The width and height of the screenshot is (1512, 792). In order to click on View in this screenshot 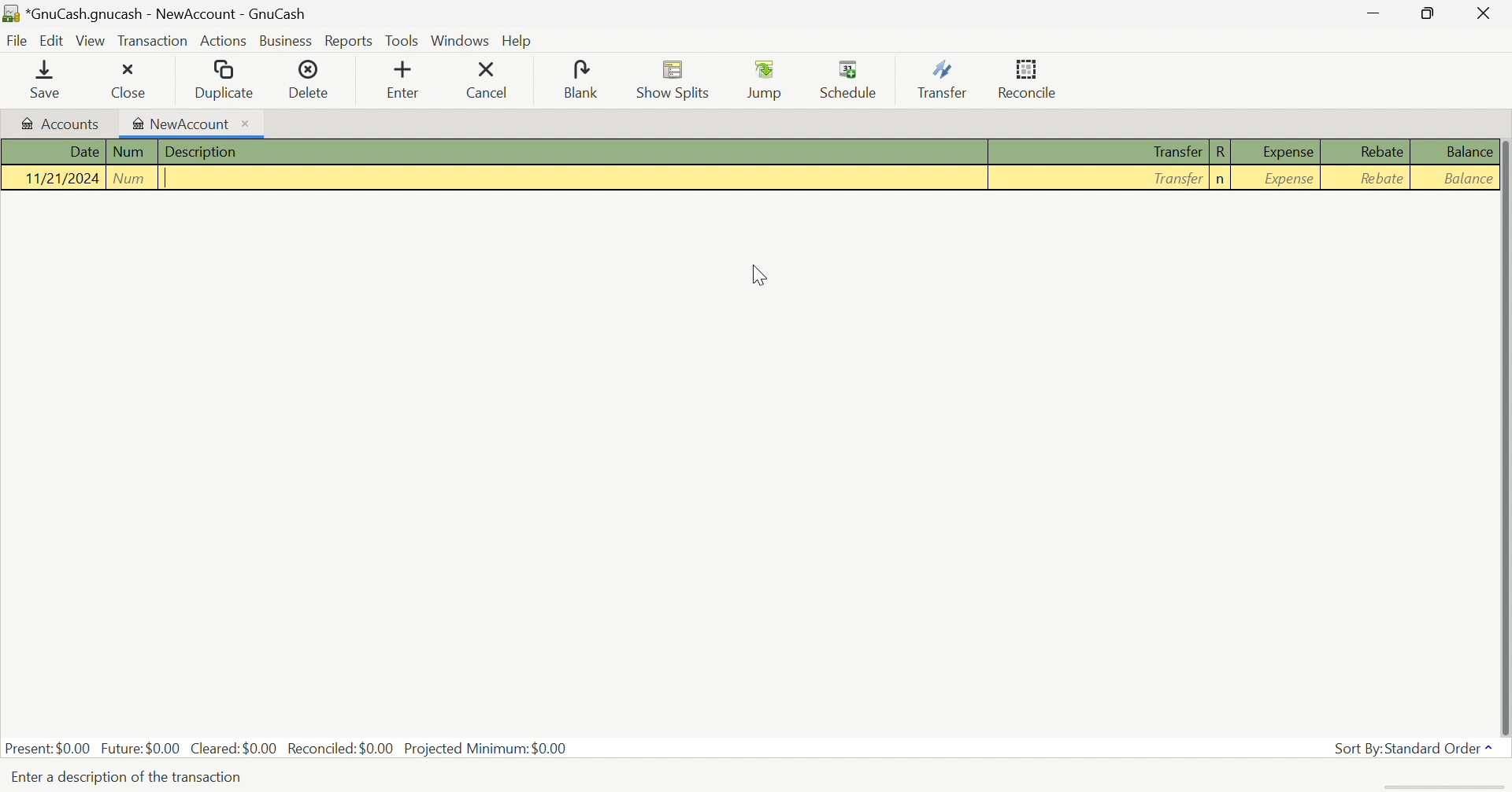, I will do `click(91, 41)`.